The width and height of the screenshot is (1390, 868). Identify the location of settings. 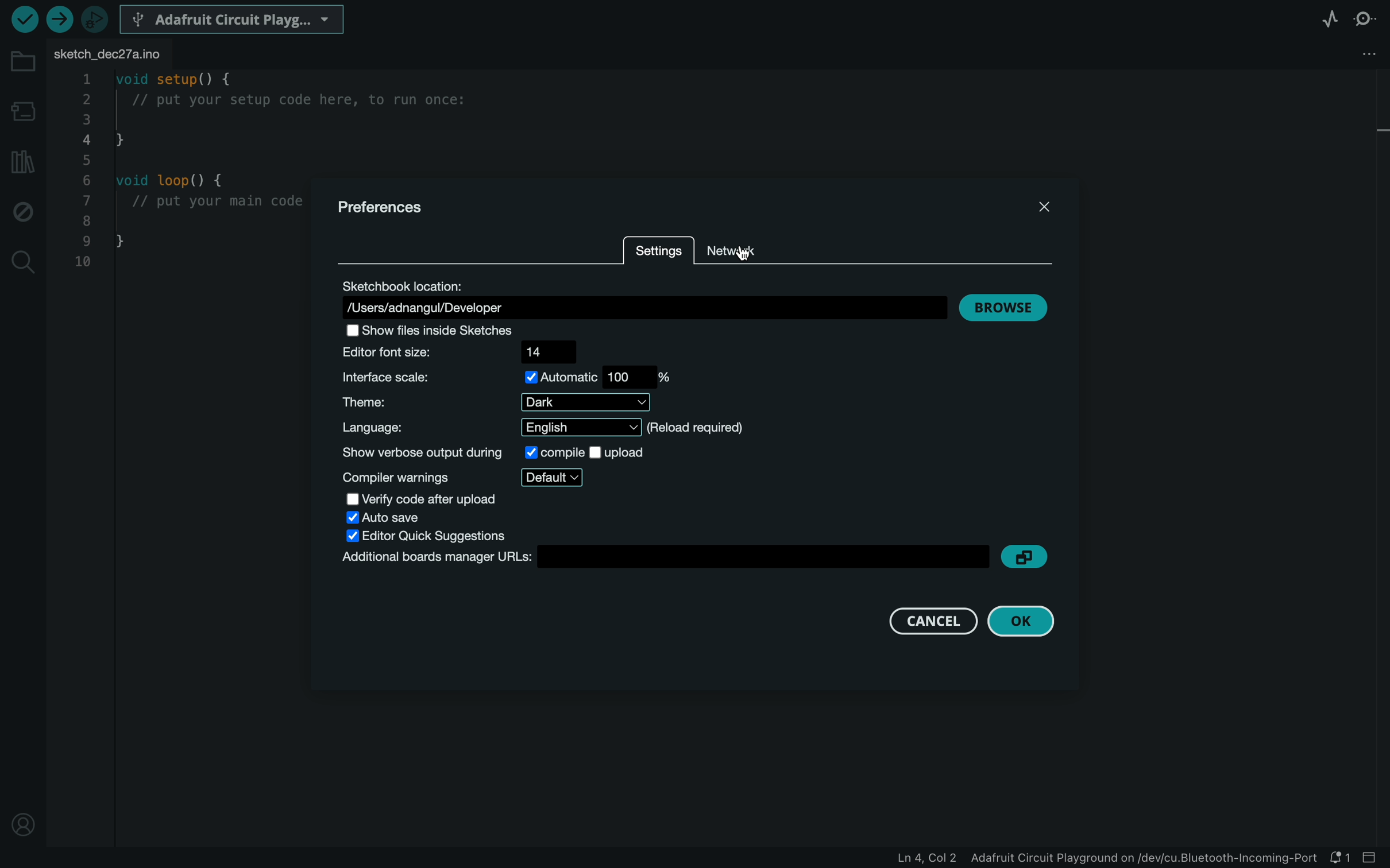
(658, 253).